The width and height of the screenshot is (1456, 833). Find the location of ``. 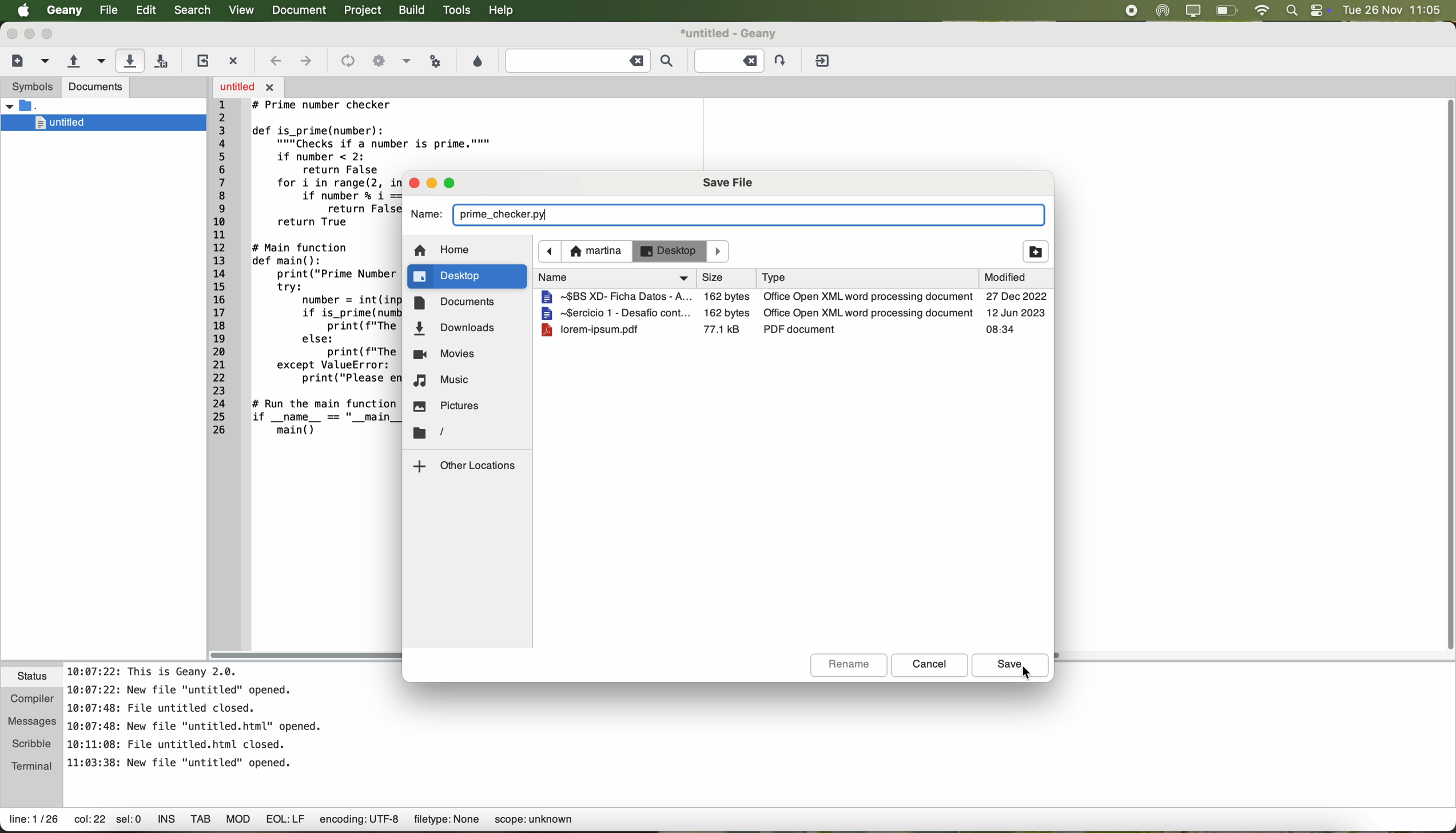

 is located at coordinates (721, 252).